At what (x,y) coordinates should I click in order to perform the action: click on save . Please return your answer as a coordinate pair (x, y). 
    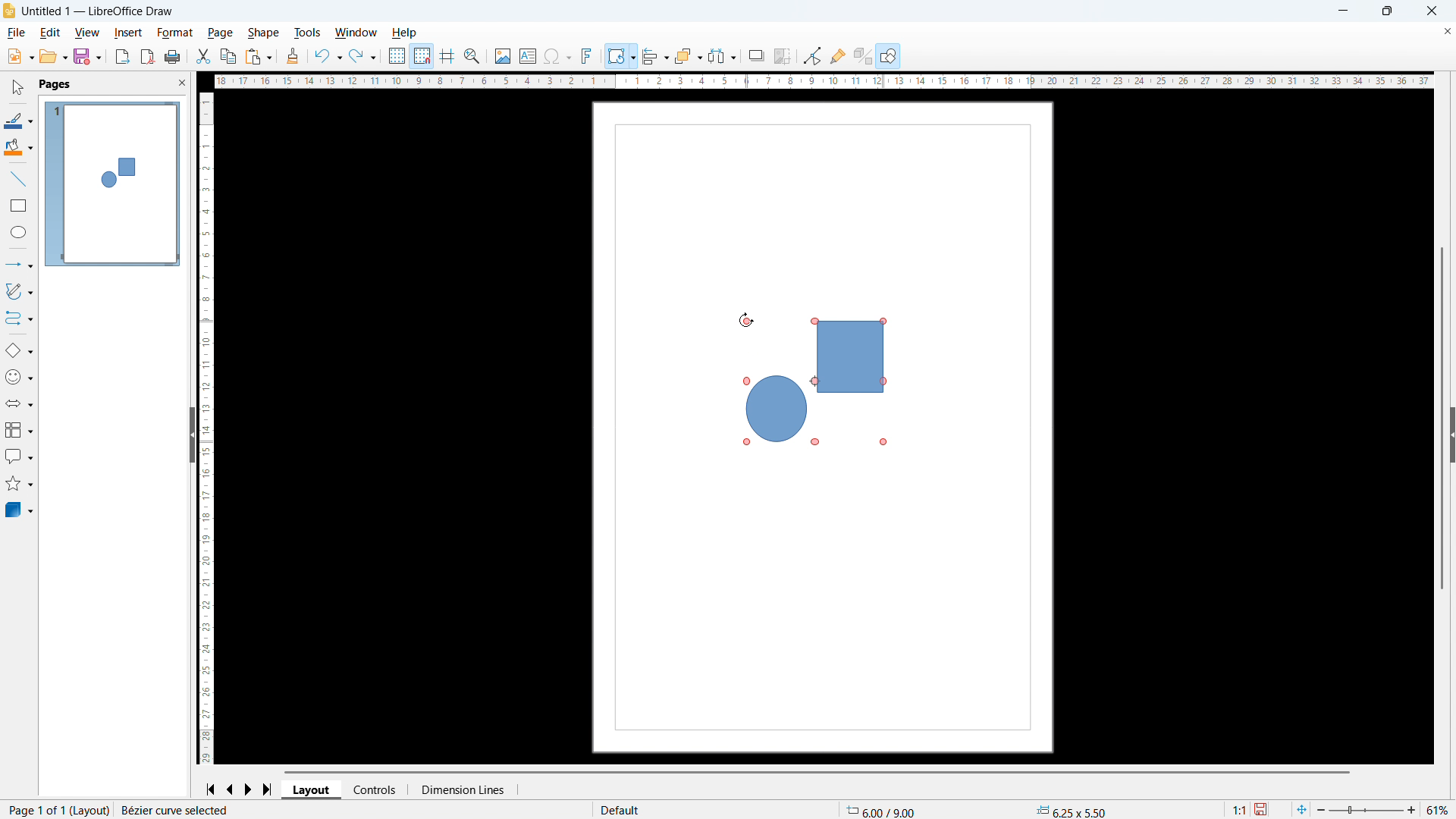
    Looking at the image, I should click on (89, 57).